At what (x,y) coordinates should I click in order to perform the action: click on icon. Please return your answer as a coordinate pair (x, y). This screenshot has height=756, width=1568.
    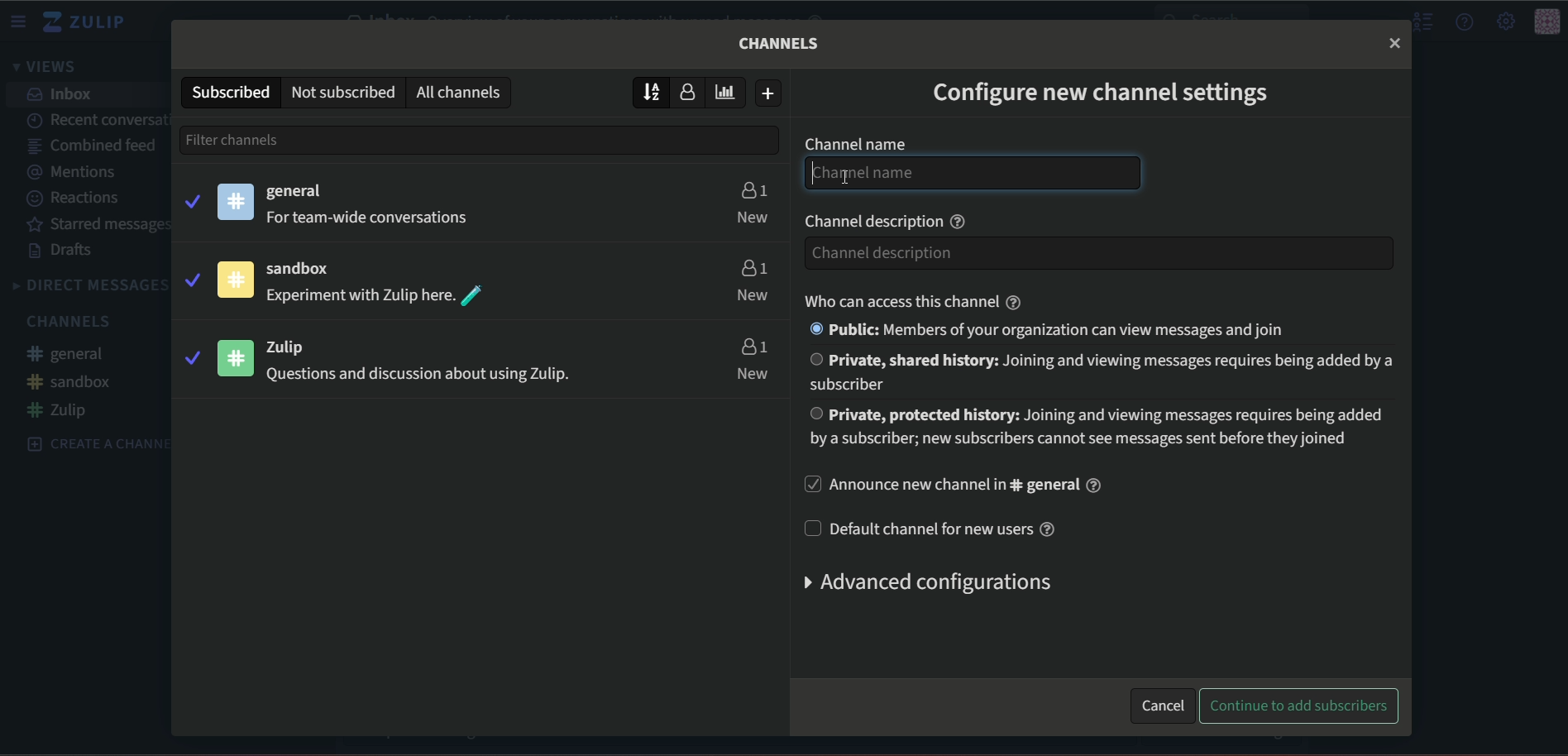
    Looking at the image, I should click on (1547, 22).